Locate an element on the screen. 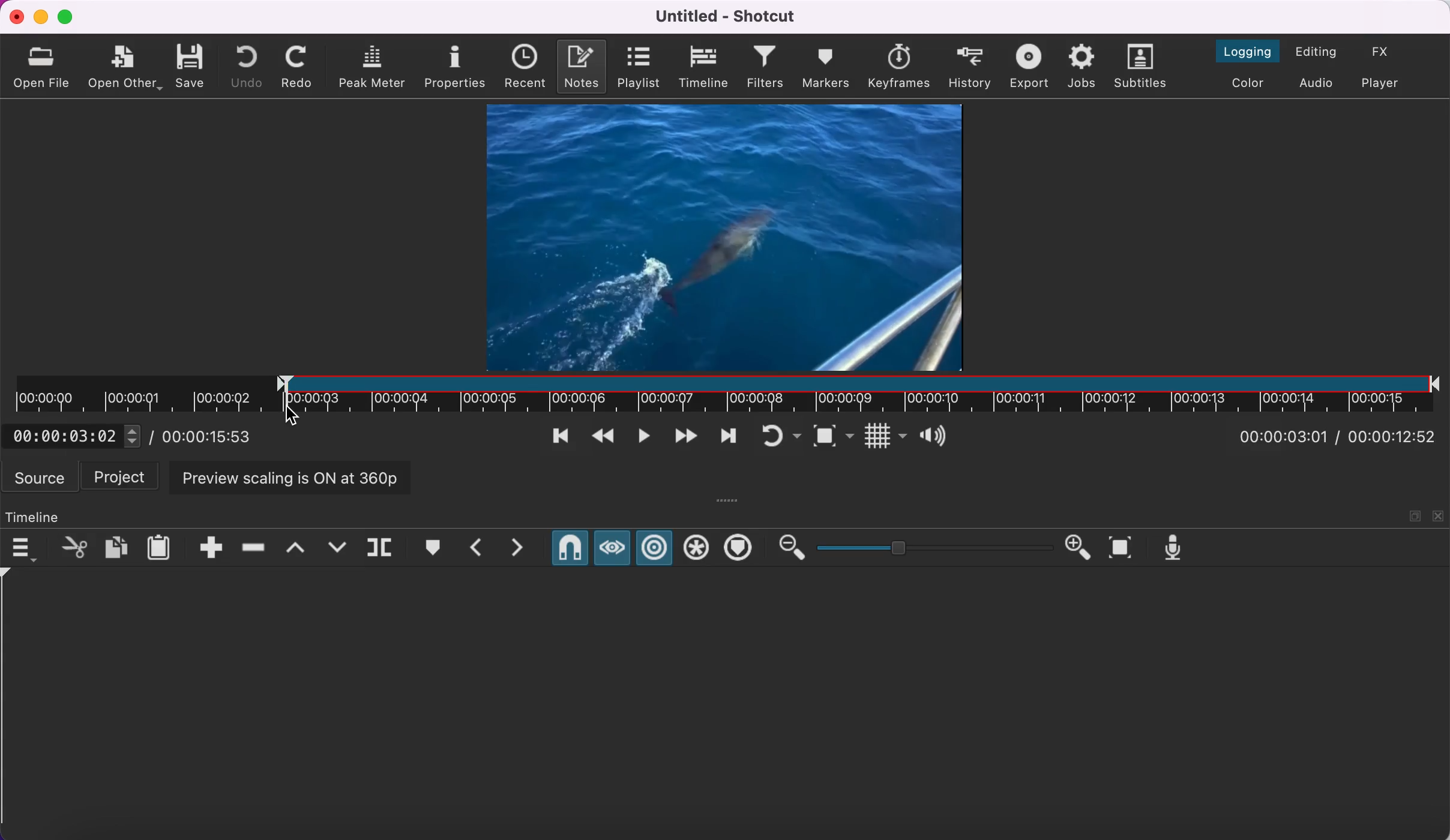 The image size is (1450, 840). lift is located at coordinates (293, 548).